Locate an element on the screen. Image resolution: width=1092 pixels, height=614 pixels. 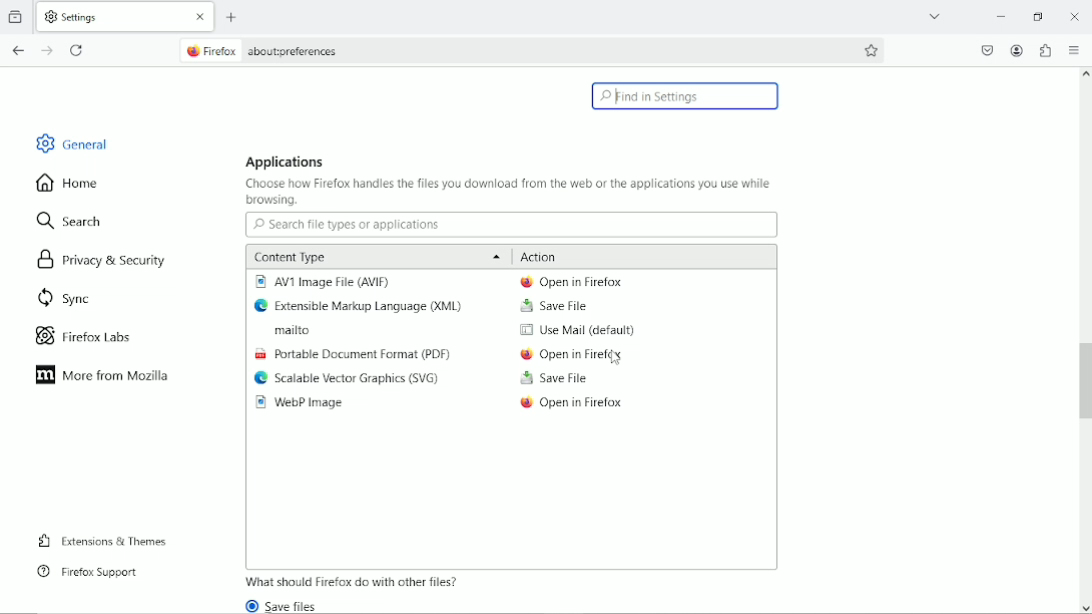
AV1 Image File is located at coordinates (326, 282).